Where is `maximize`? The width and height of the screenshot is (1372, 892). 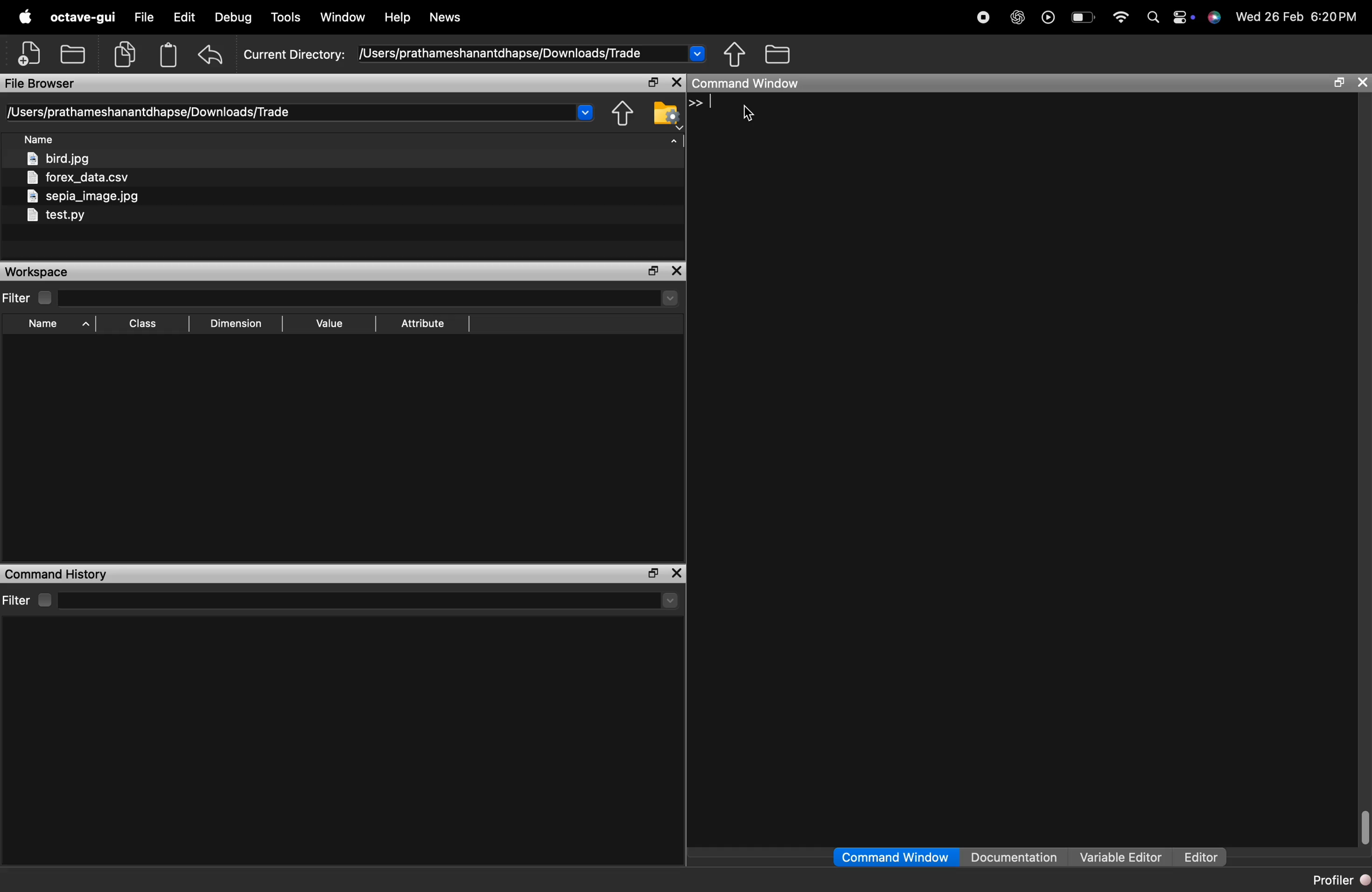
maximize is located at coordinates (1339, 82).